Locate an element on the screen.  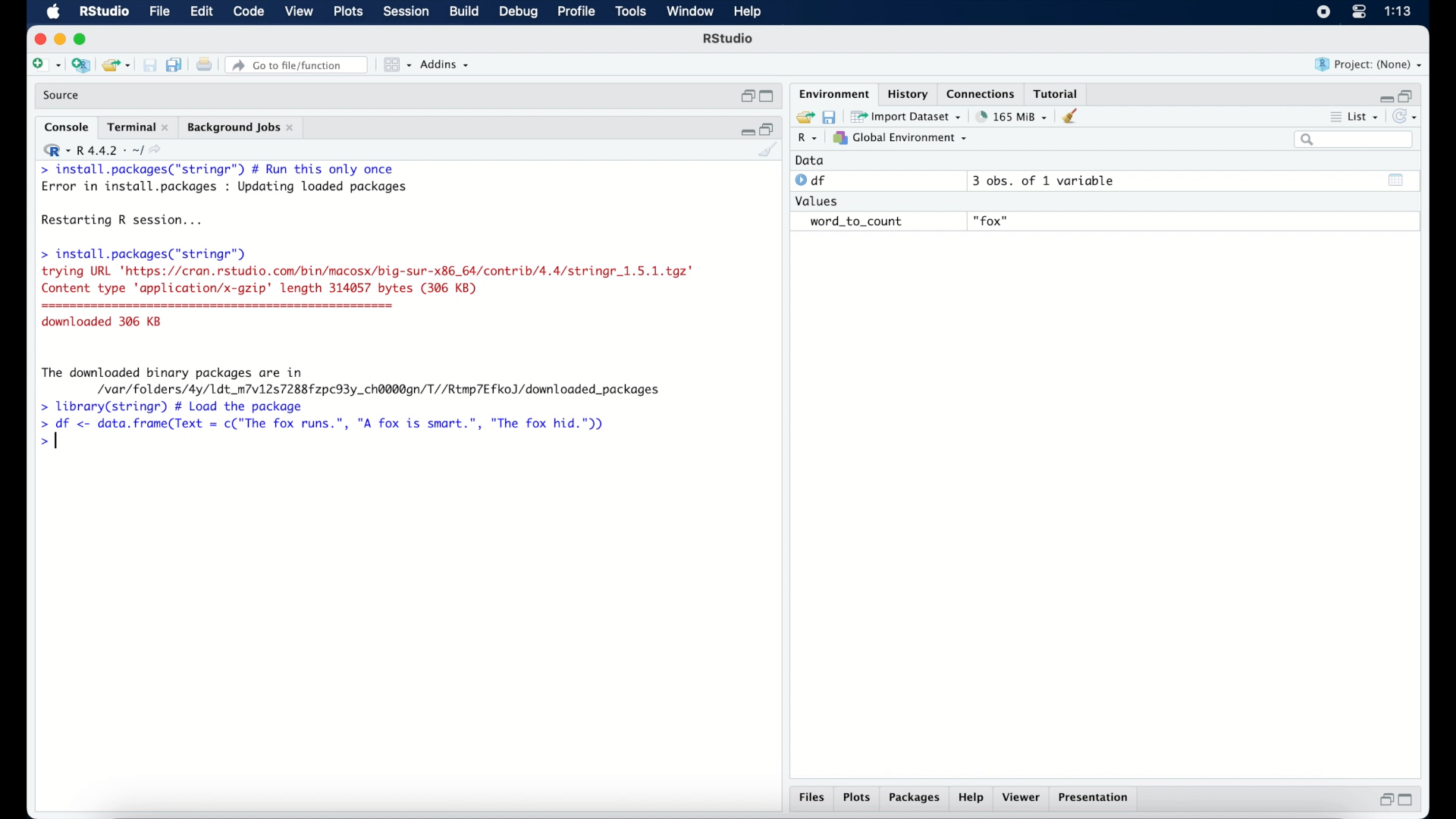
console is located at coordinates (67, 127).